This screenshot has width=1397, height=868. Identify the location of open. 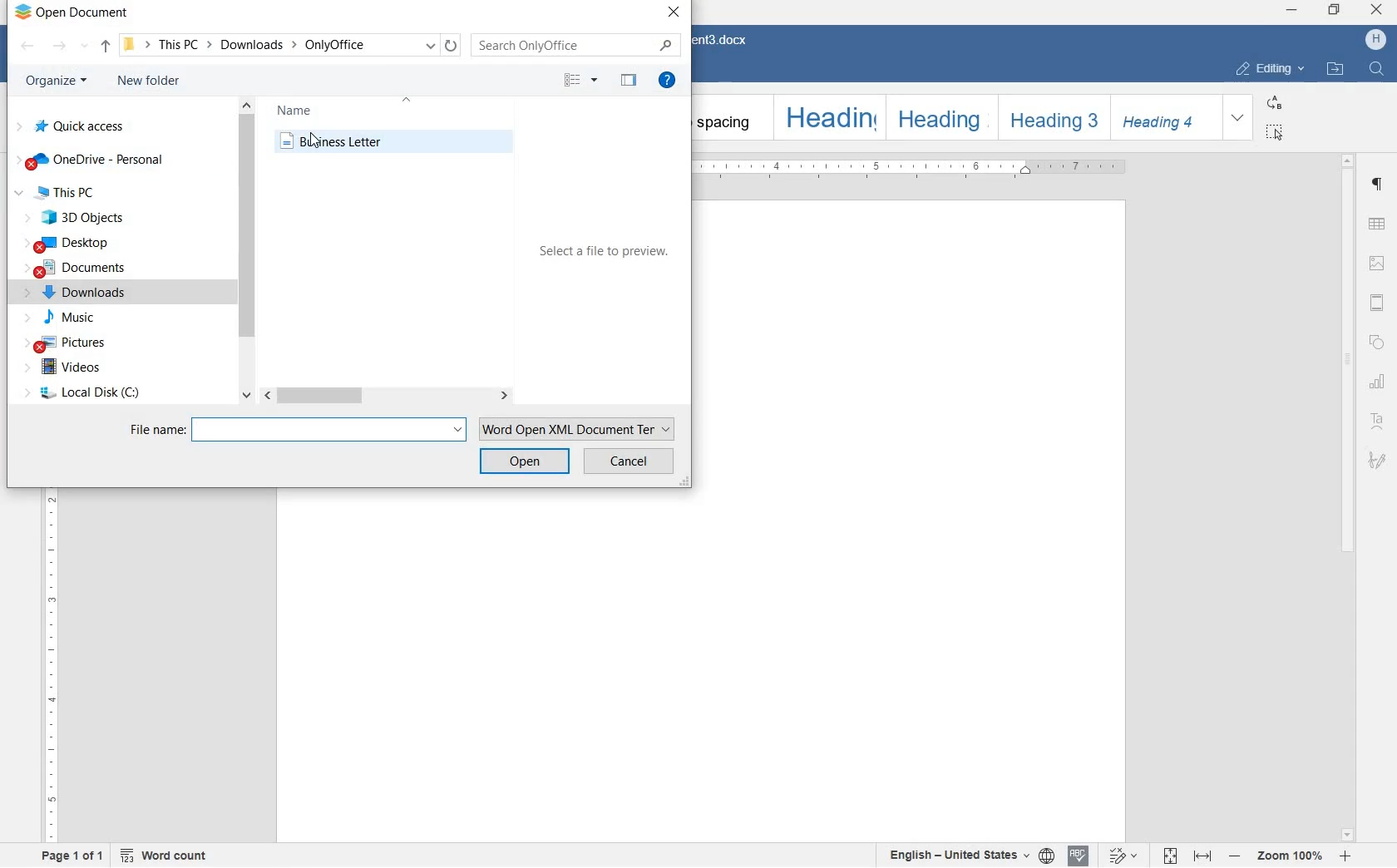
(525, 461).